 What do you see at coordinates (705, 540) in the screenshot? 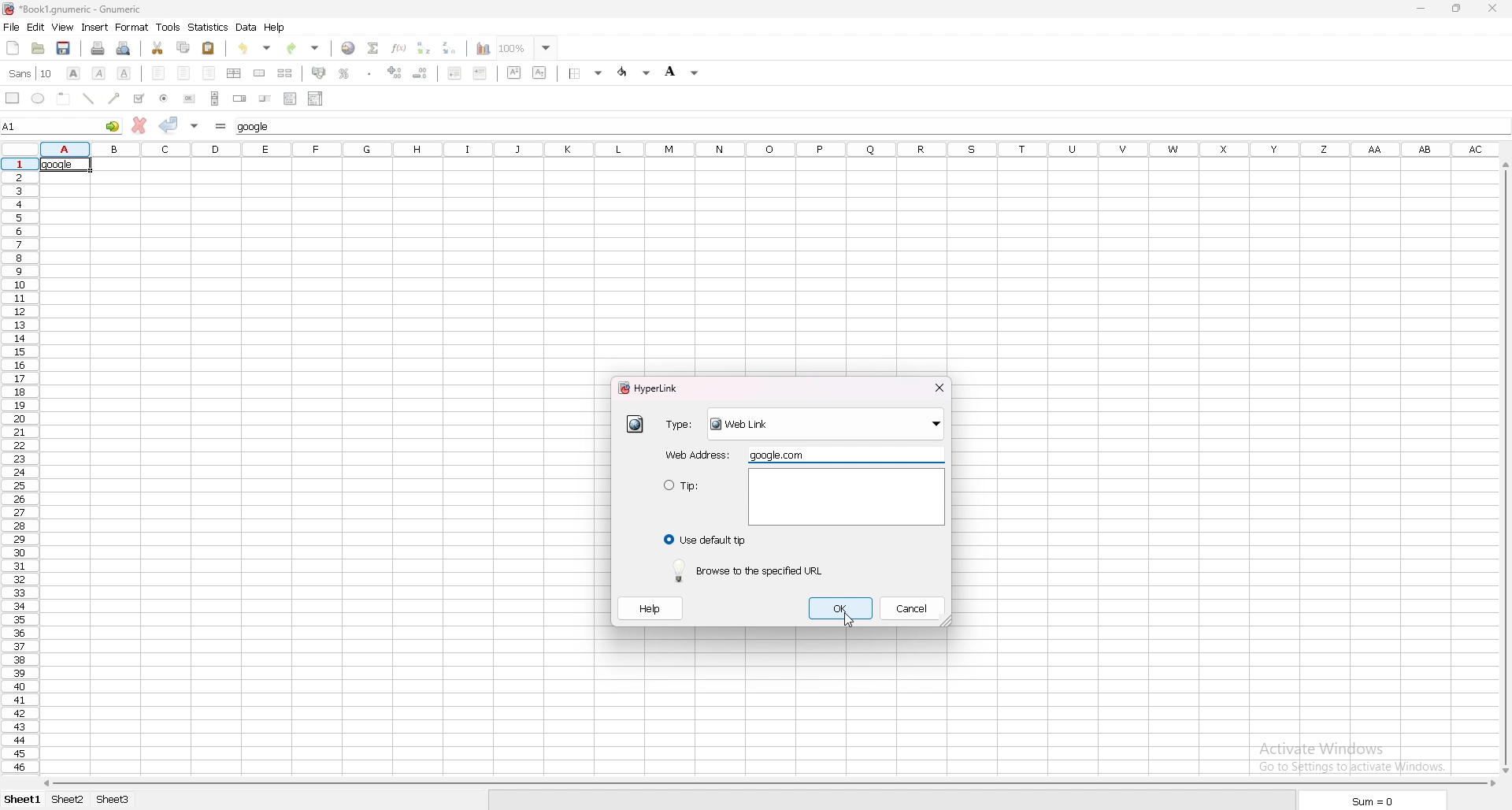
I see `use default tip` at bounding box center [705, 540].